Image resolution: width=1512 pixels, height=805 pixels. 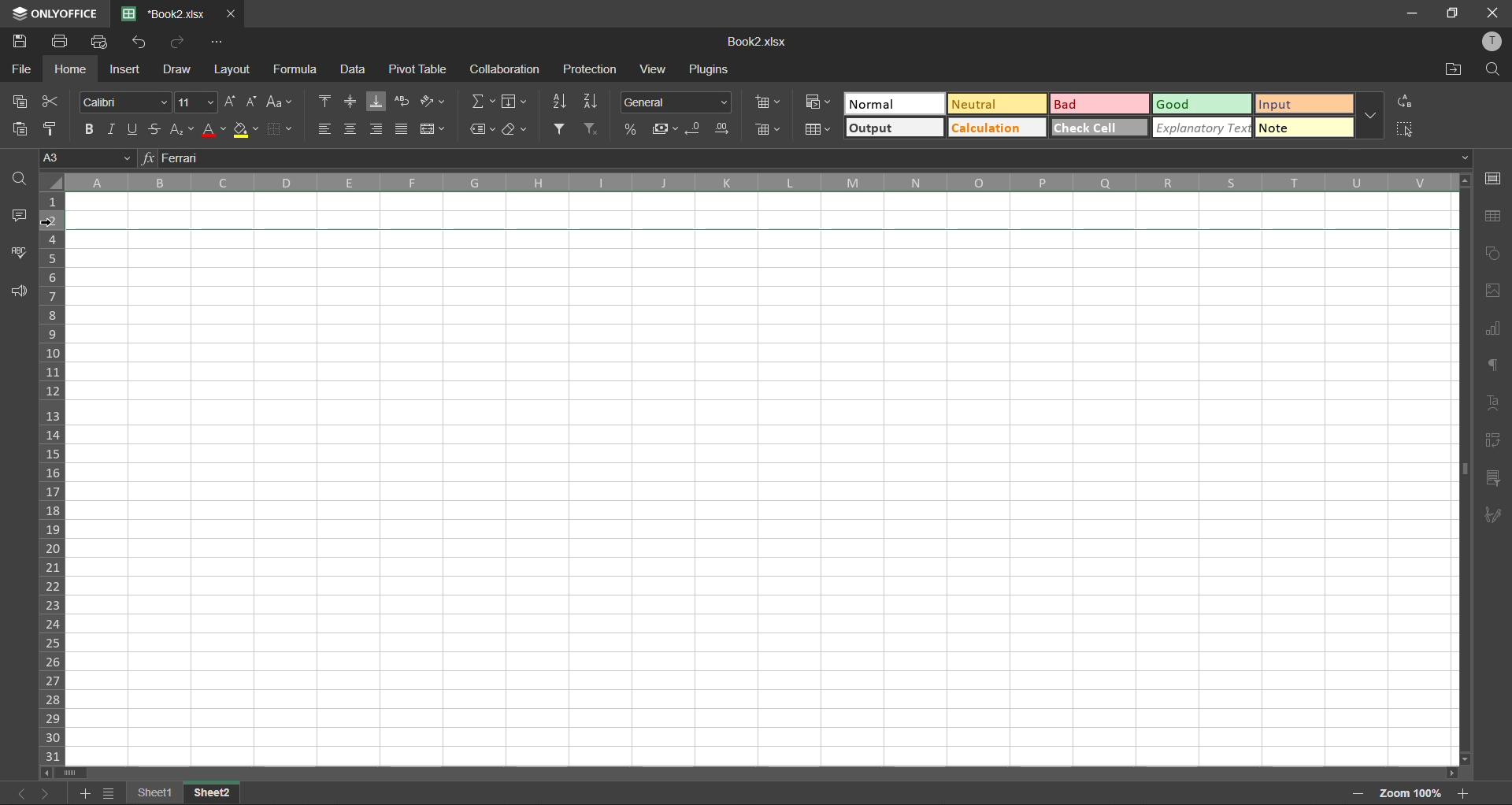 I want to click on align left, so click(x=328, y=128).